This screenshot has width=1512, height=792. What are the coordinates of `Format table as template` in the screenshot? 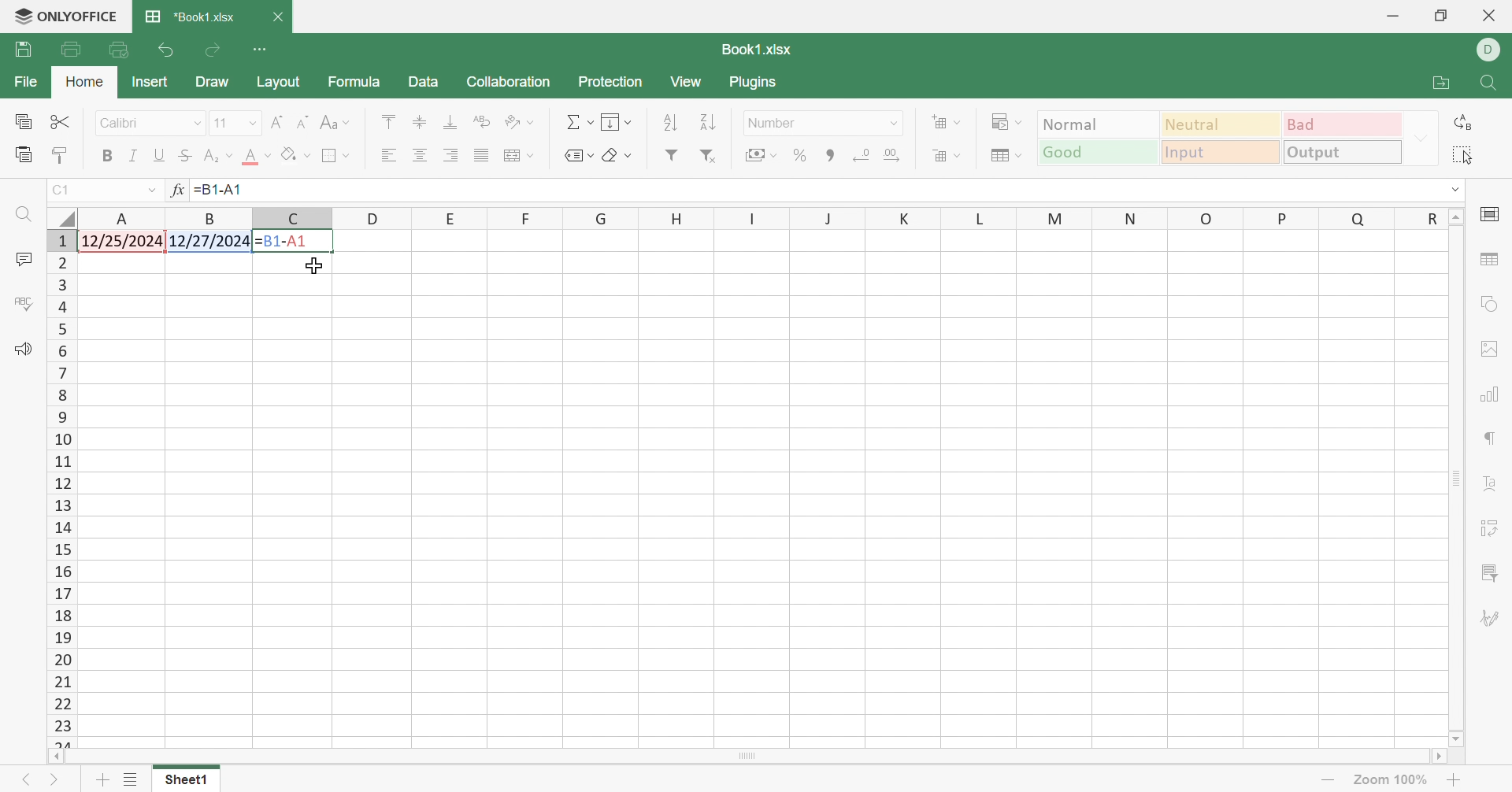 It's located at (1004, 157).